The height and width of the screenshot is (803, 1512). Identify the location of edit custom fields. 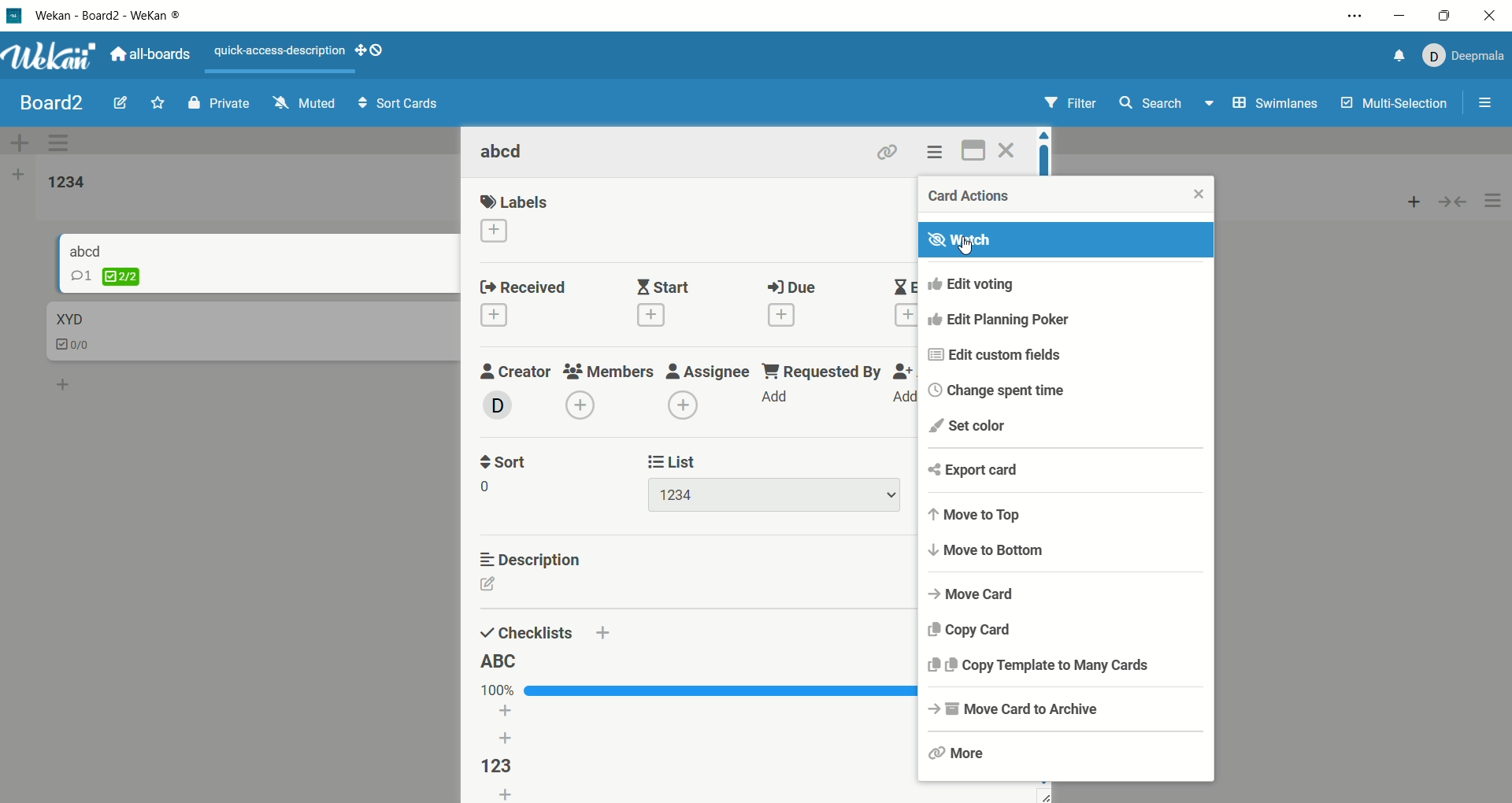
(1066, 357).